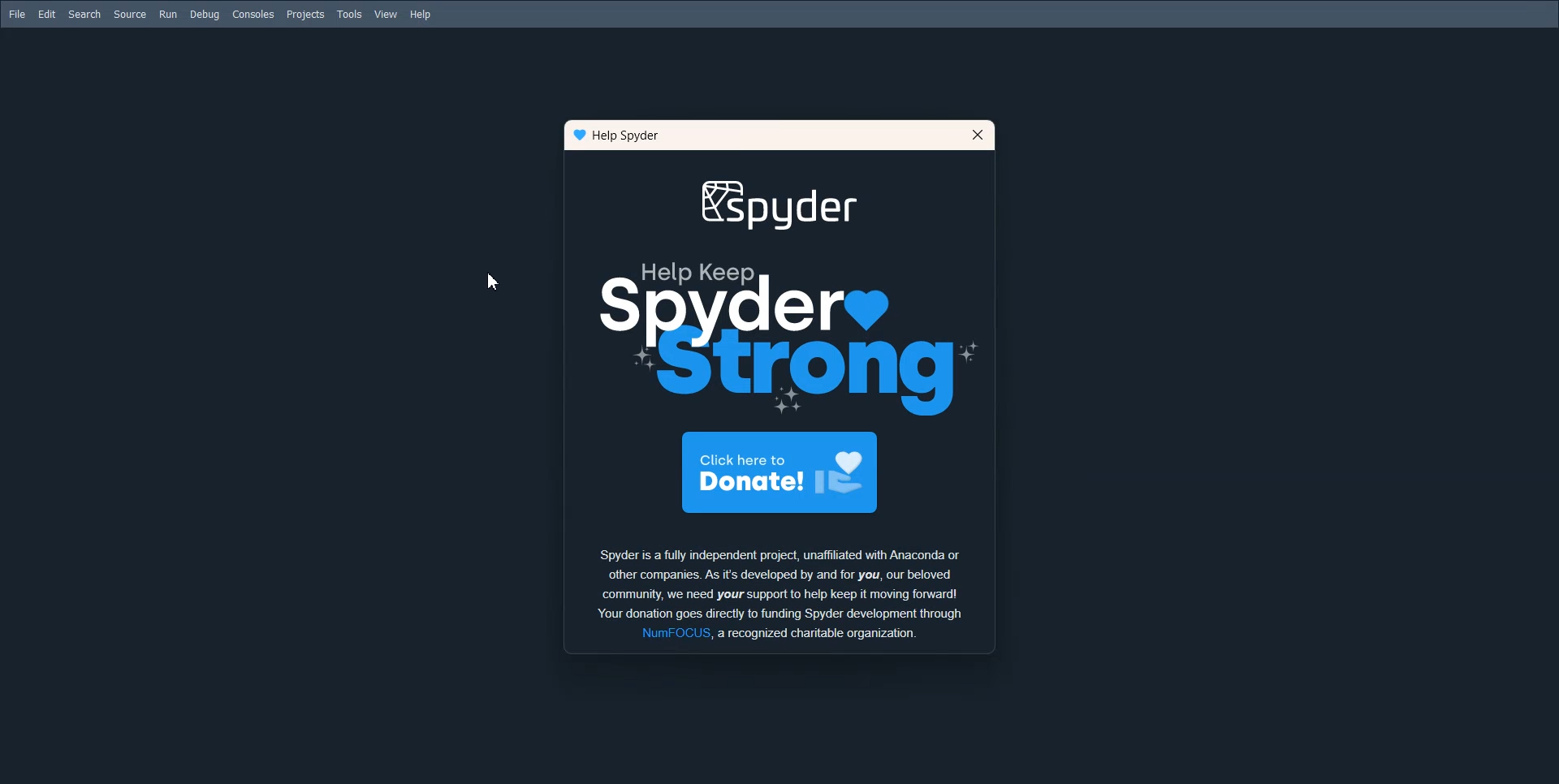 The height and width of the screenshot is (784, 1559). I want to click on View, so click(386, 14).